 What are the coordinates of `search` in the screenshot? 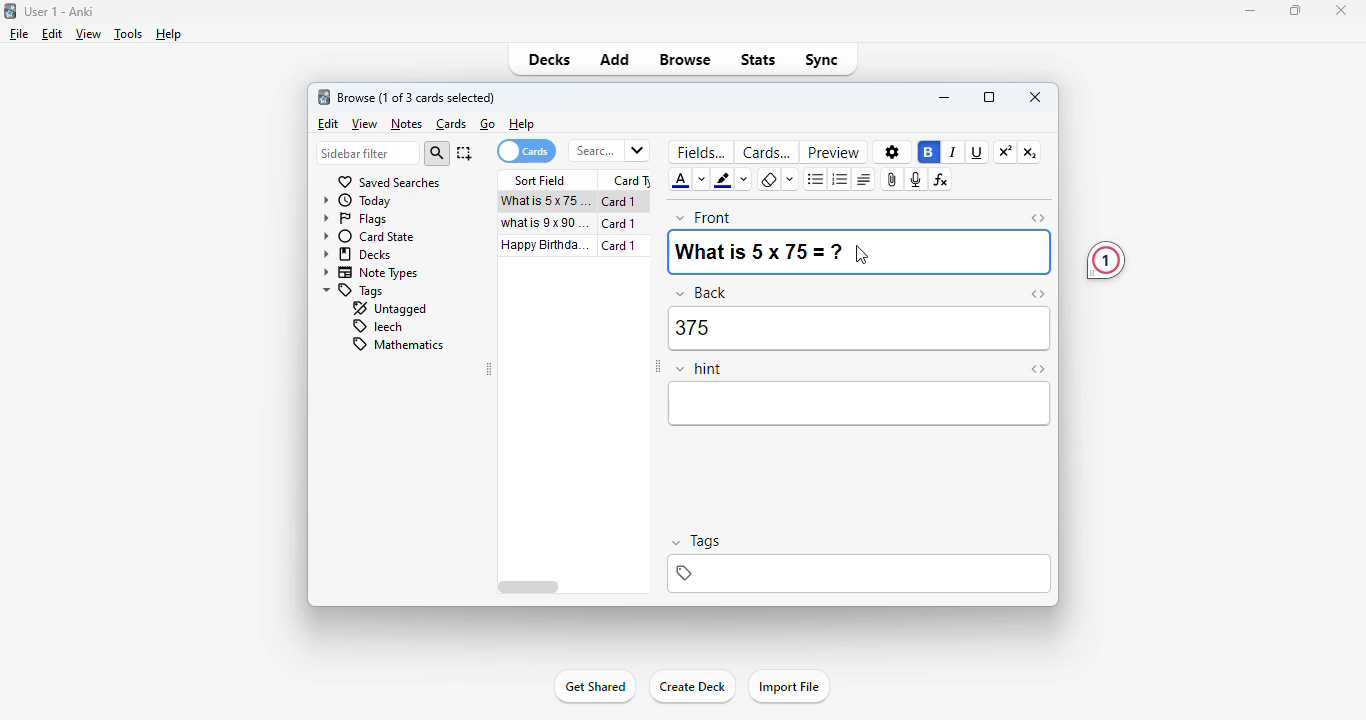 It's located at (437, 153).